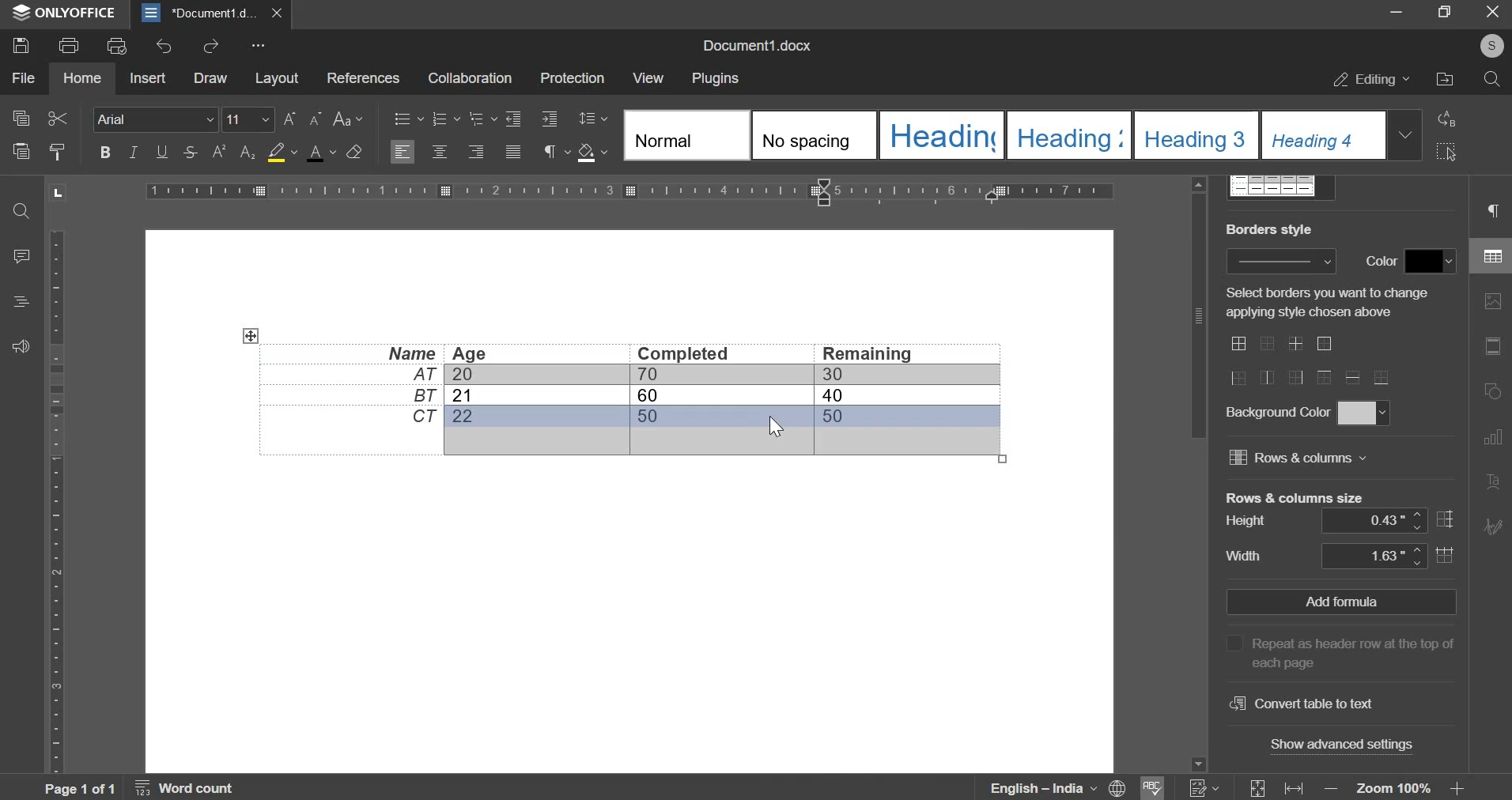  Describe the element at coordinates (22, 346) in the screenshot. I see `feedback` at that location.